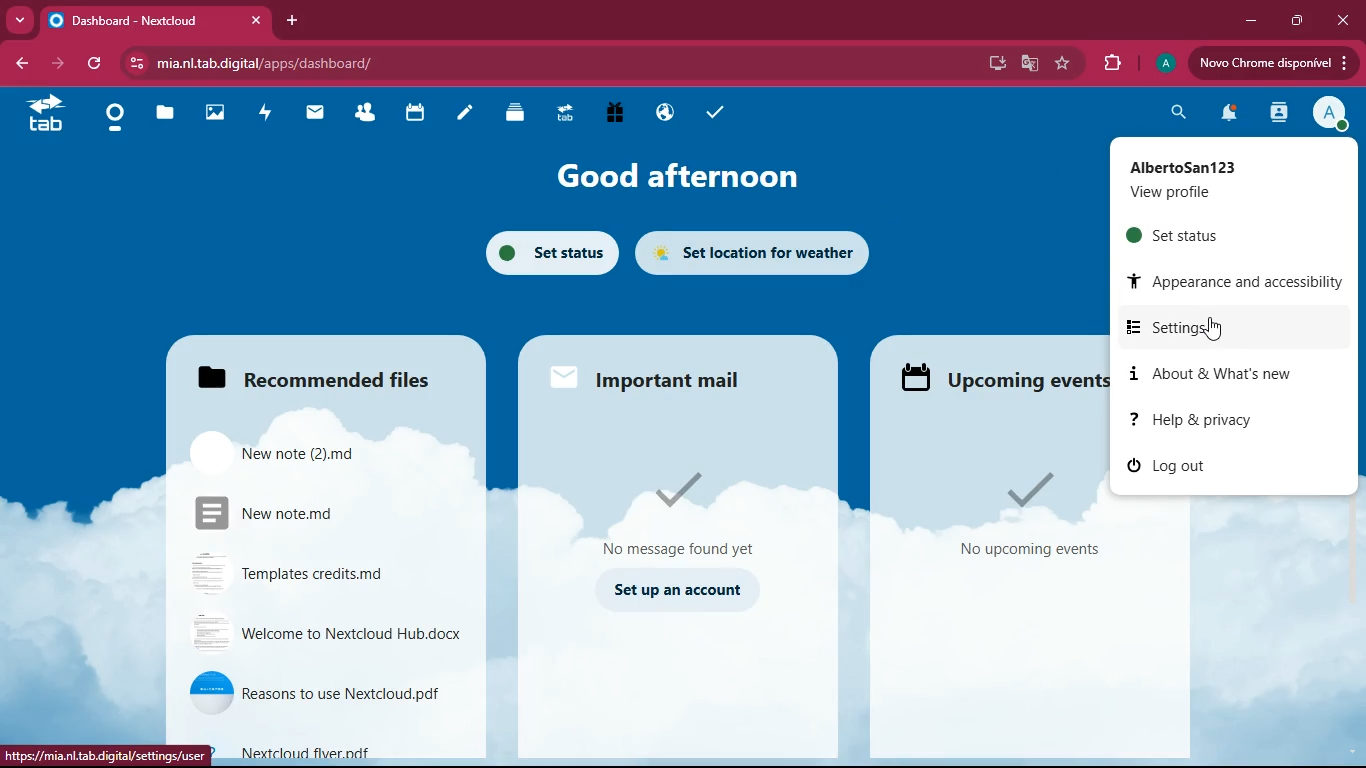 The image size is (1366, 768). I want to click on favorite, so click(1064, 64).